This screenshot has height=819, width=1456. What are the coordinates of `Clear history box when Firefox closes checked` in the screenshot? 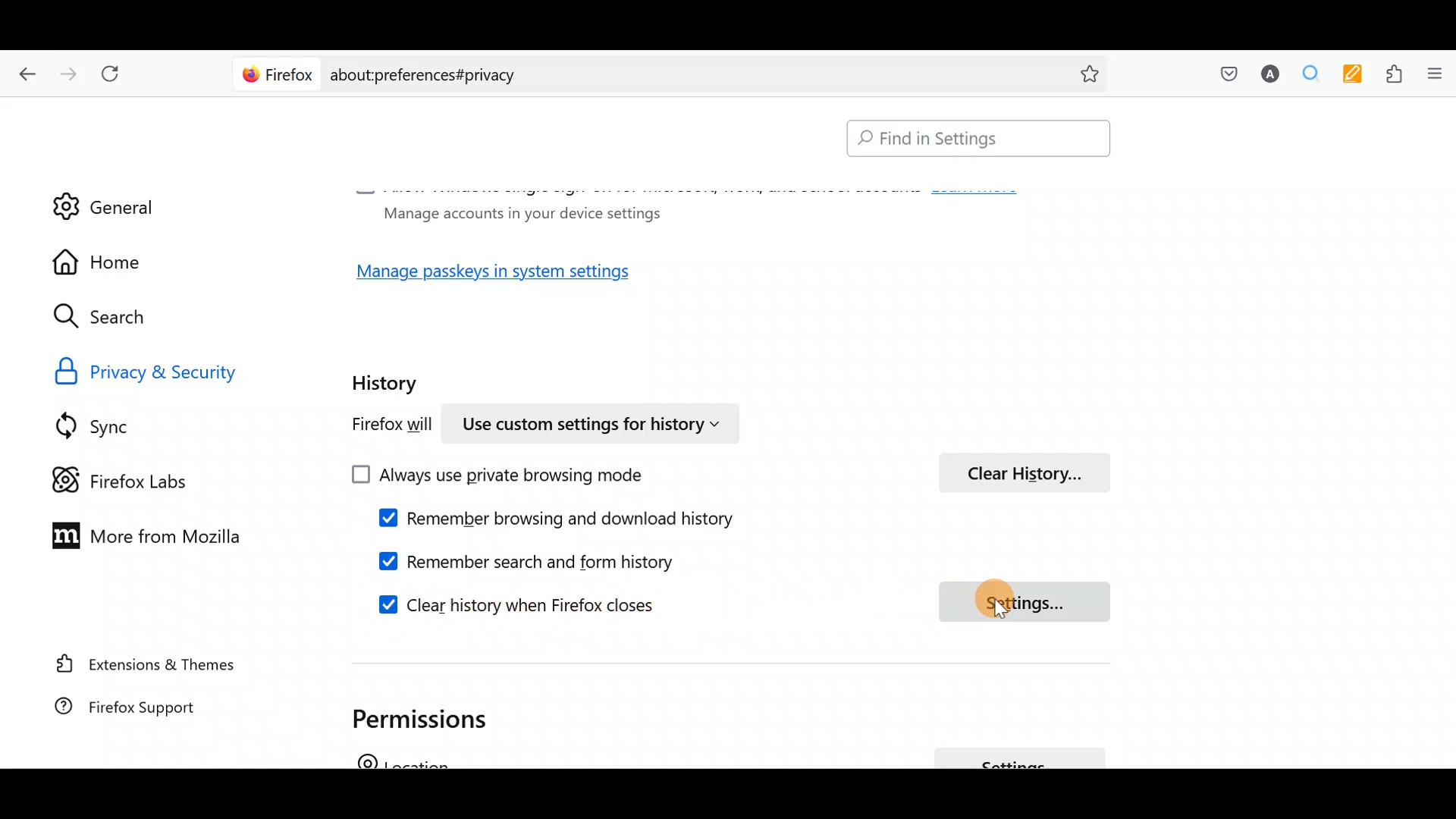 It's located at (498, 606).